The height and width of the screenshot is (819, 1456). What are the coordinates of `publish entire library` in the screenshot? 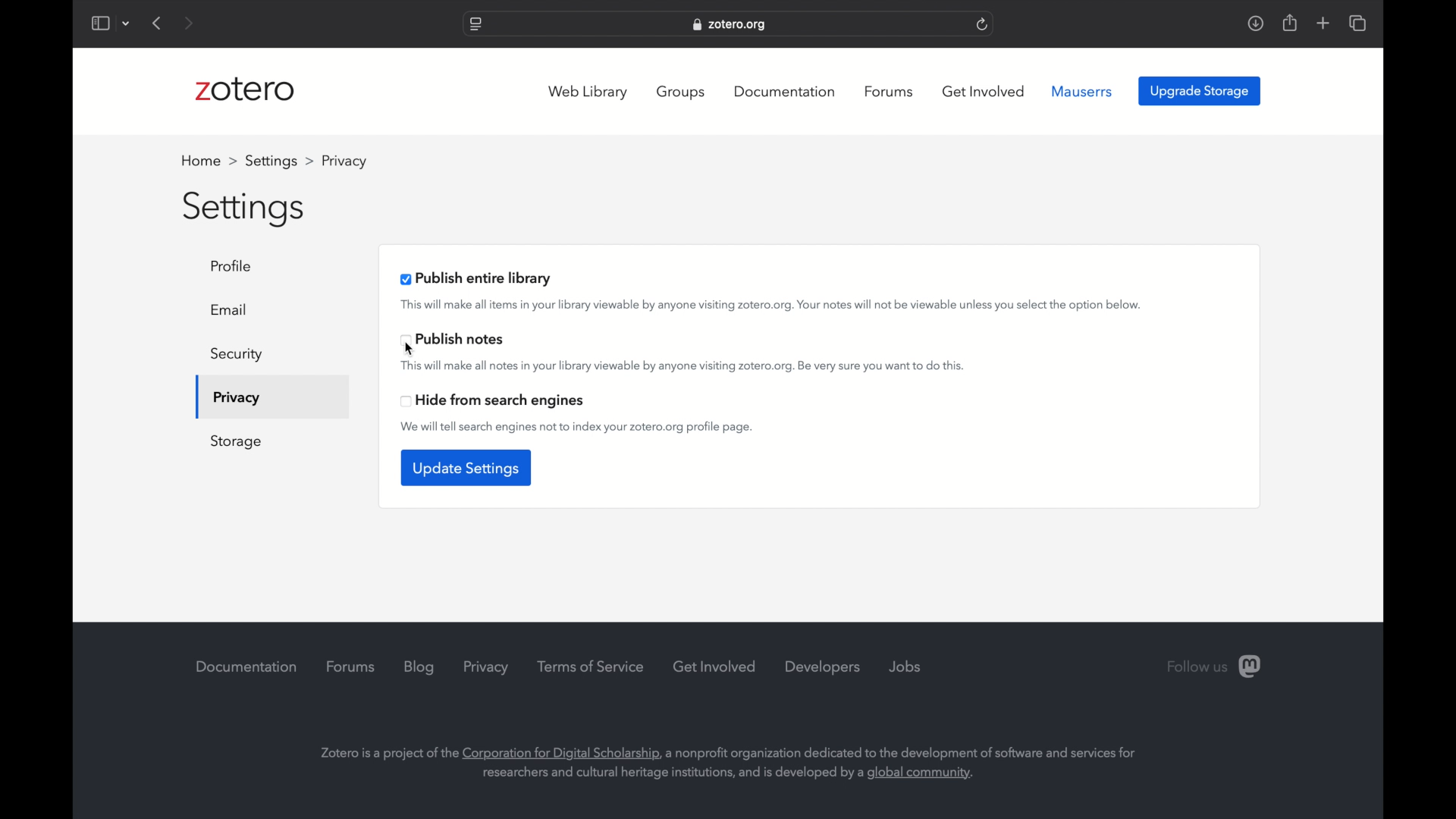 It's located at (476, 278).